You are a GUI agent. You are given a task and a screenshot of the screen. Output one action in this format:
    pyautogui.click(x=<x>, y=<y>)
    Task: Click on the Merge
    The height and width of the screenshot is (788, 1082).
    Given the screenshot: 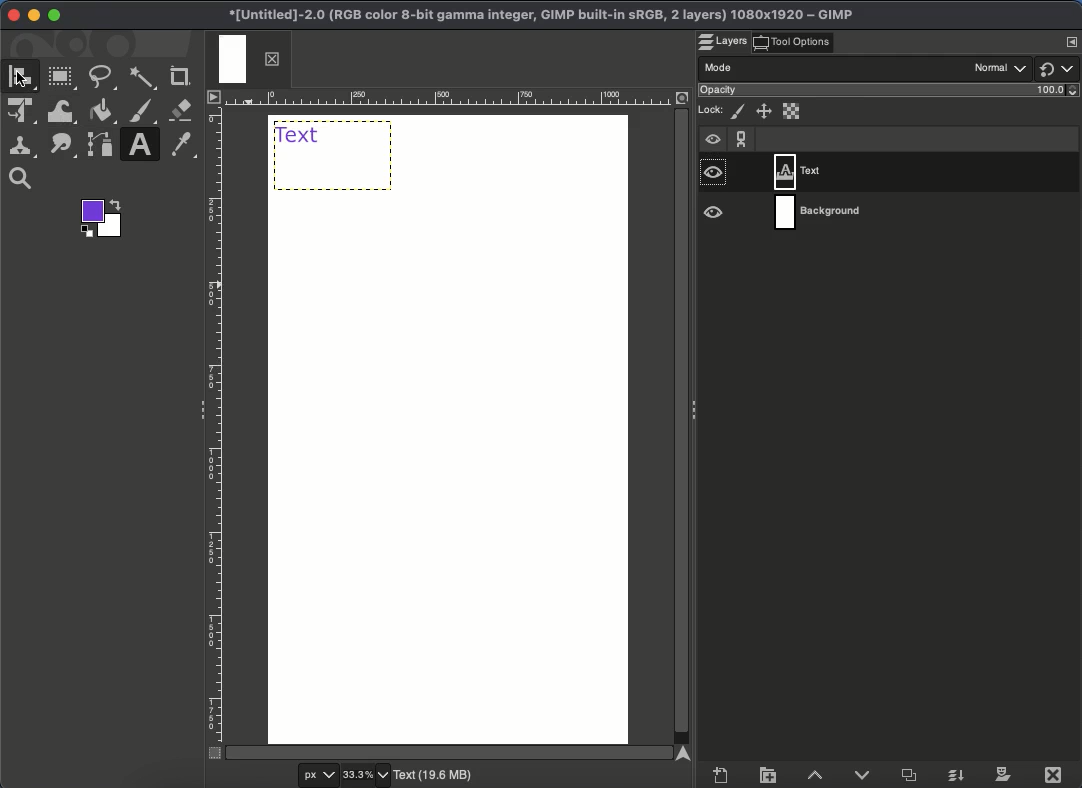 What is the action you would take?
    pyautogui.click(x=958, y=773)
    